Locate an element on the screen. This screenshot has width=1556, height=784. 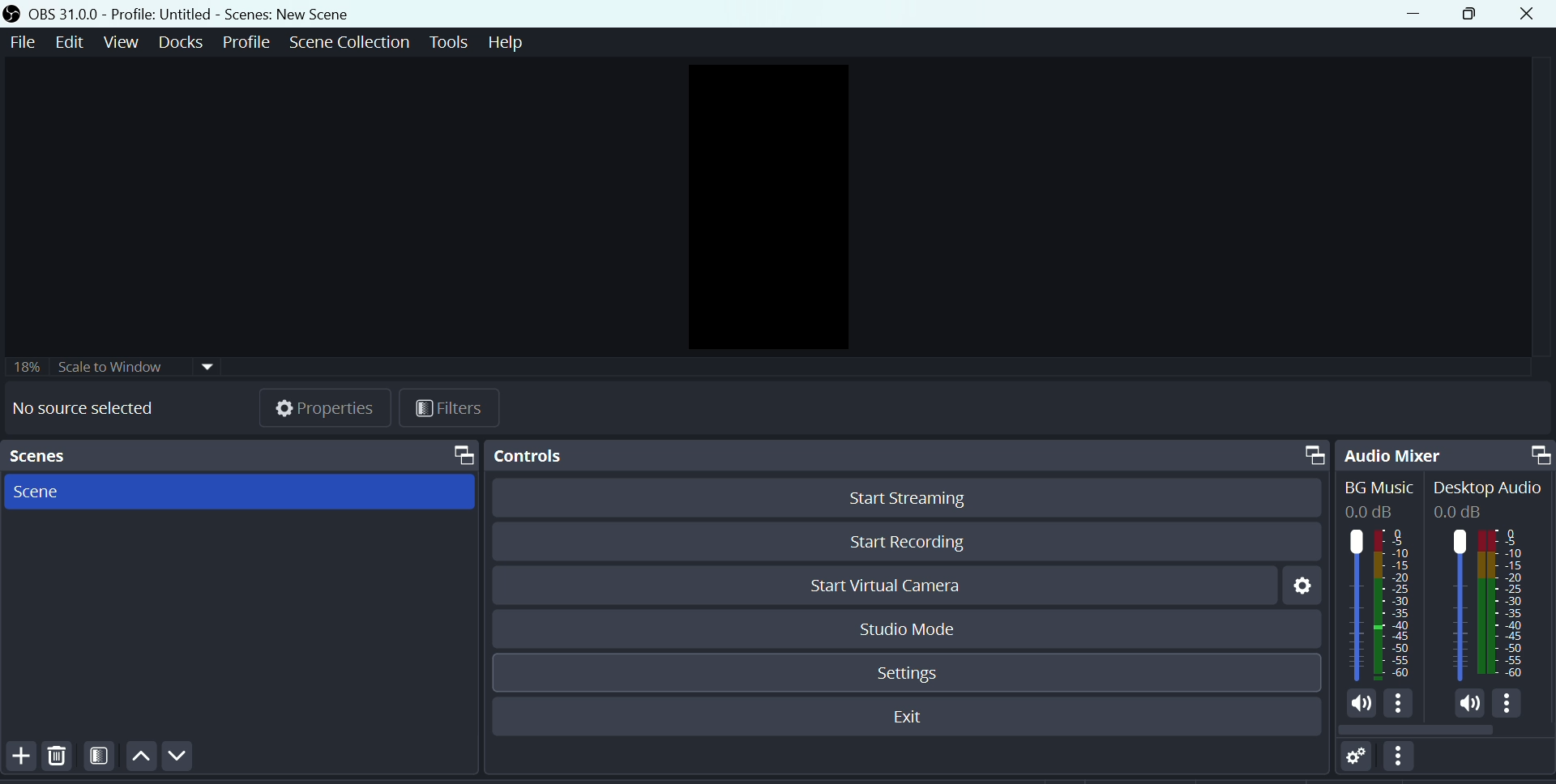
Close is located at coordinates (1531, 15).